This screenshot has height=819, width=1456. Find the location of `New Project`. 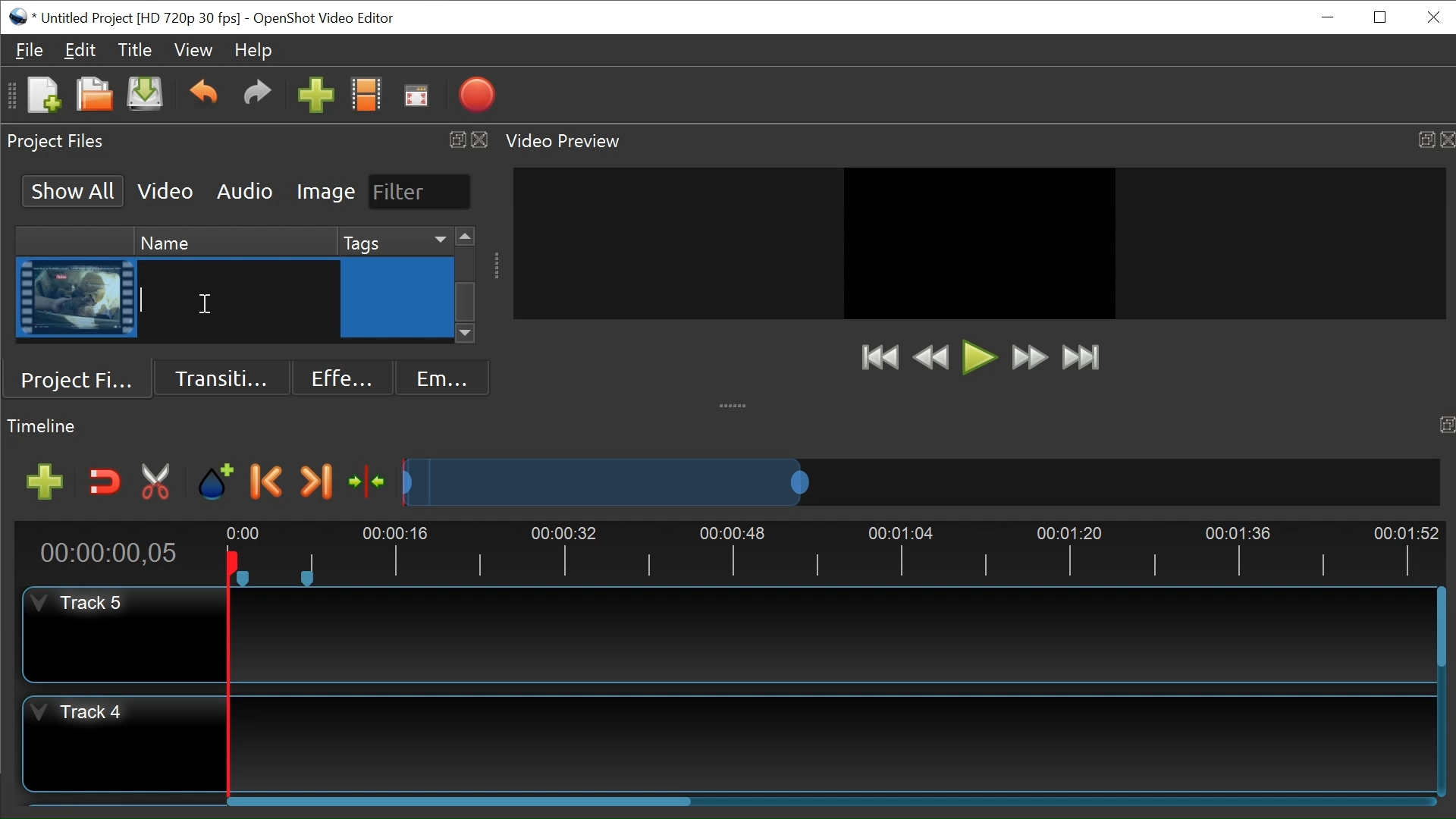

New Project is located at coordinates (42, 96).